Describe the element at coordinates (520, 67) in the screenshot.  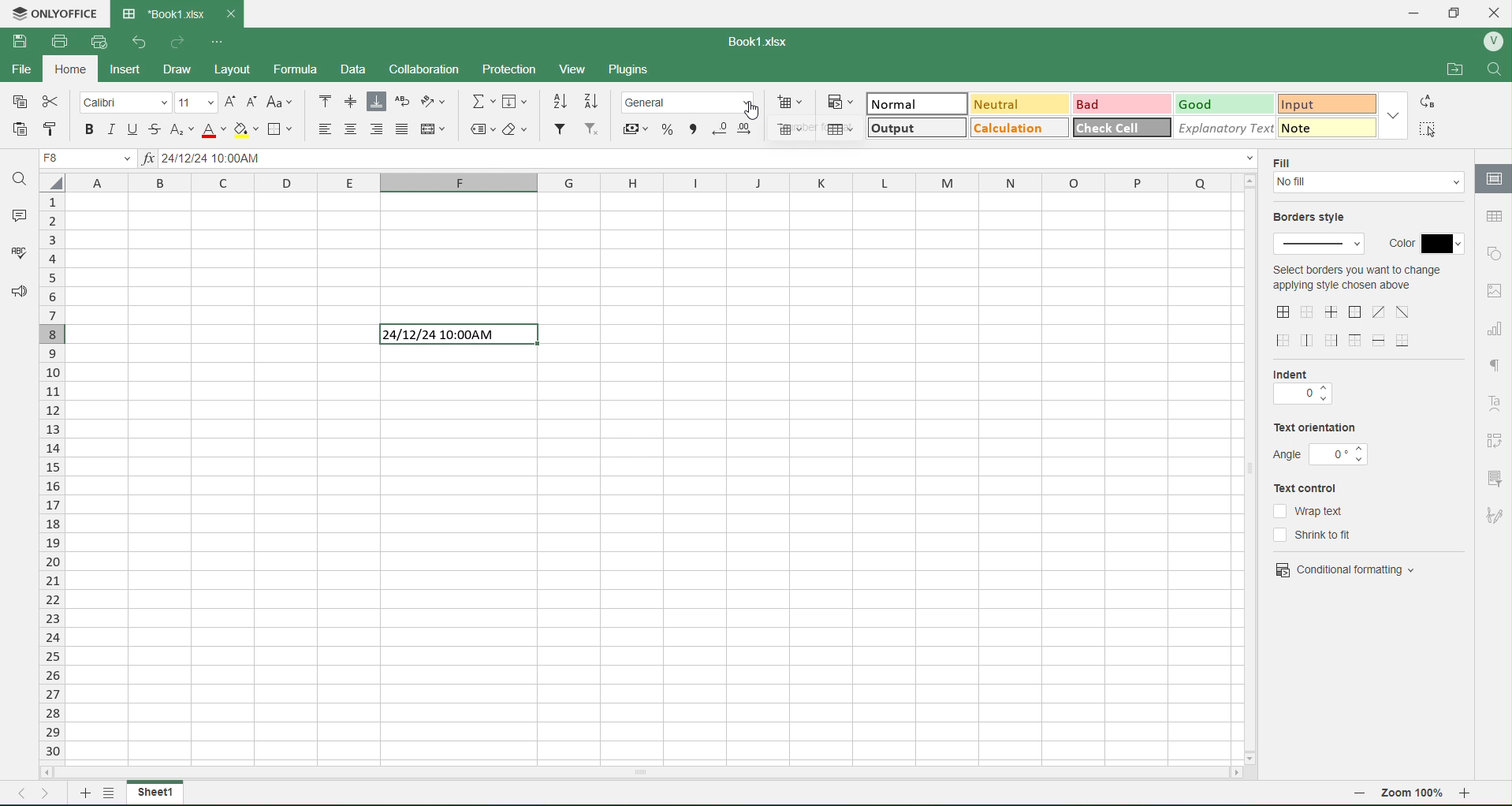
I see `Protection` at that location.